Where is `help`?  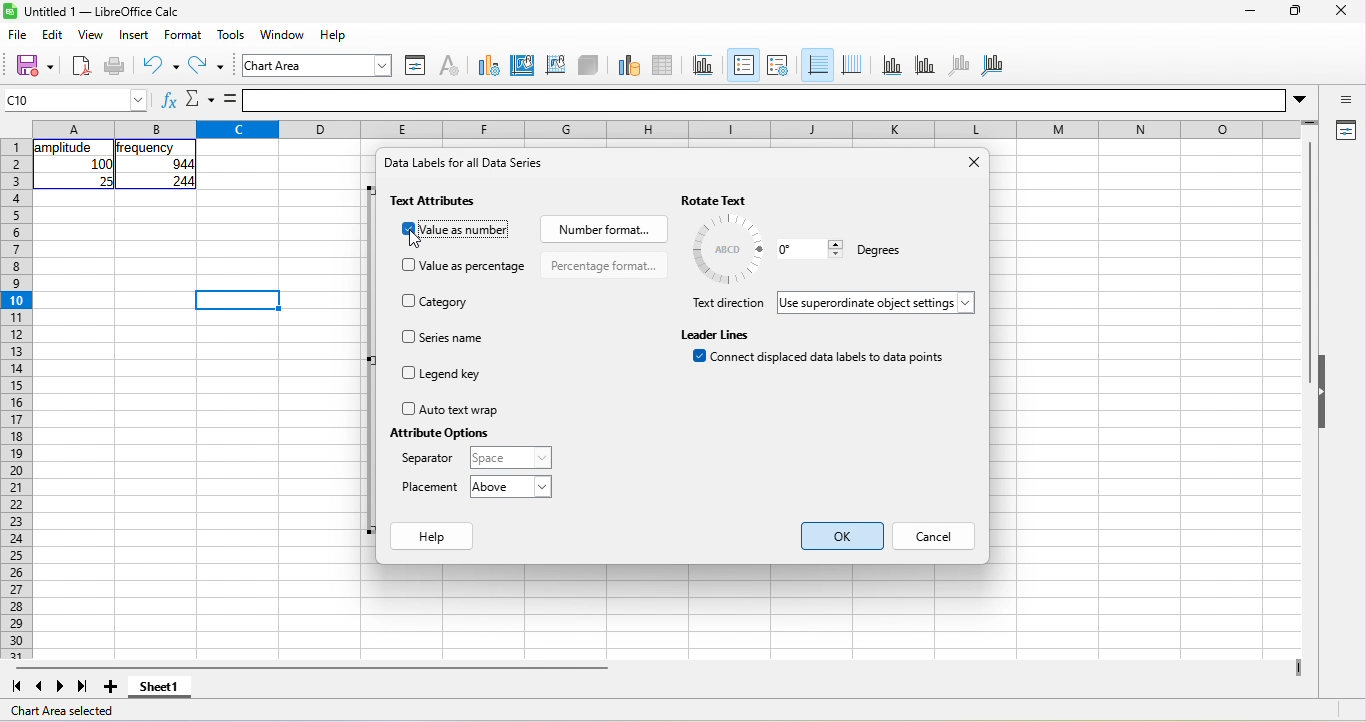 help is located at coordinates (434, 539).